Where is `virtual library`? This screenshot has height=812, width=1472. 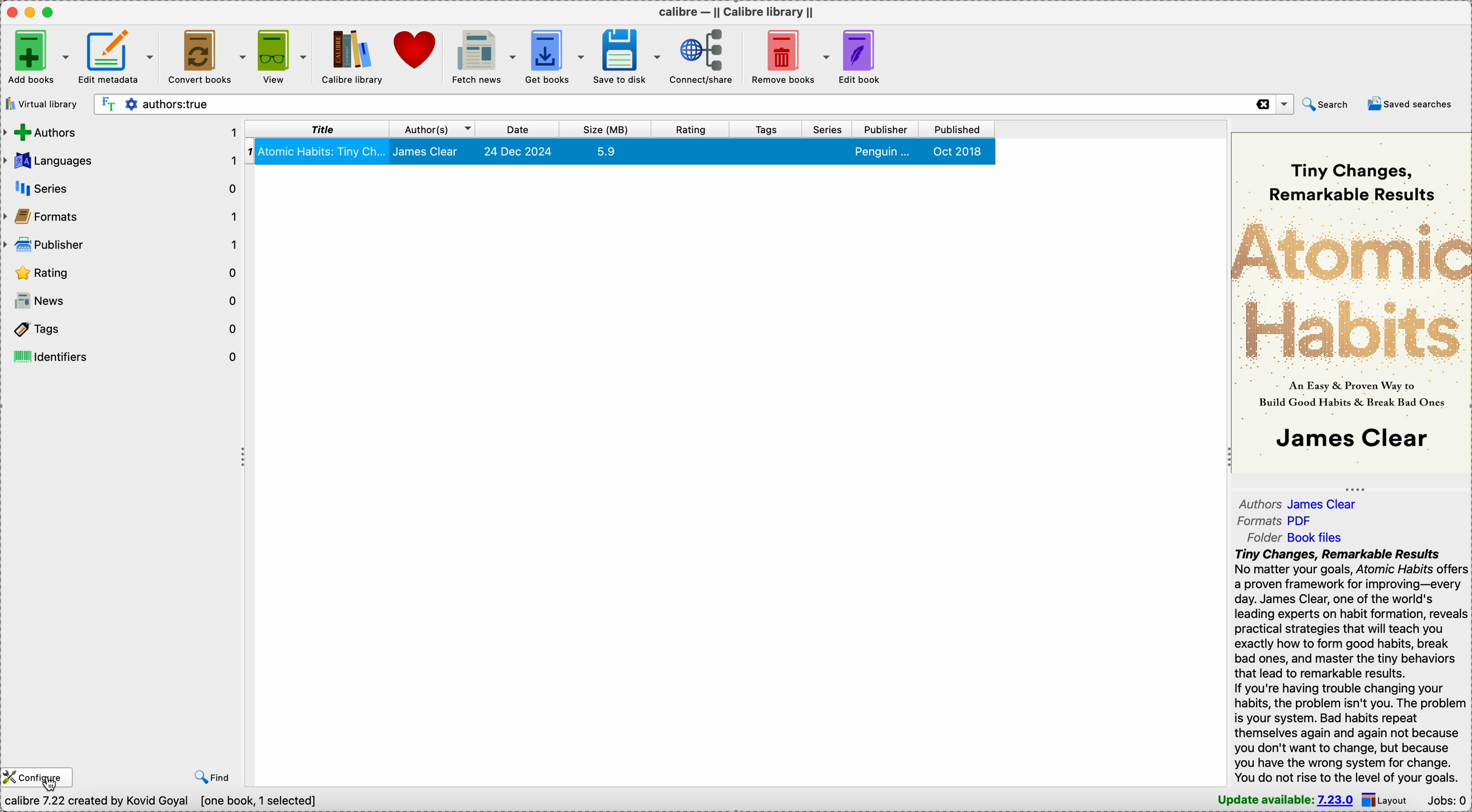
virtual library is located at coordinates (41, 103).